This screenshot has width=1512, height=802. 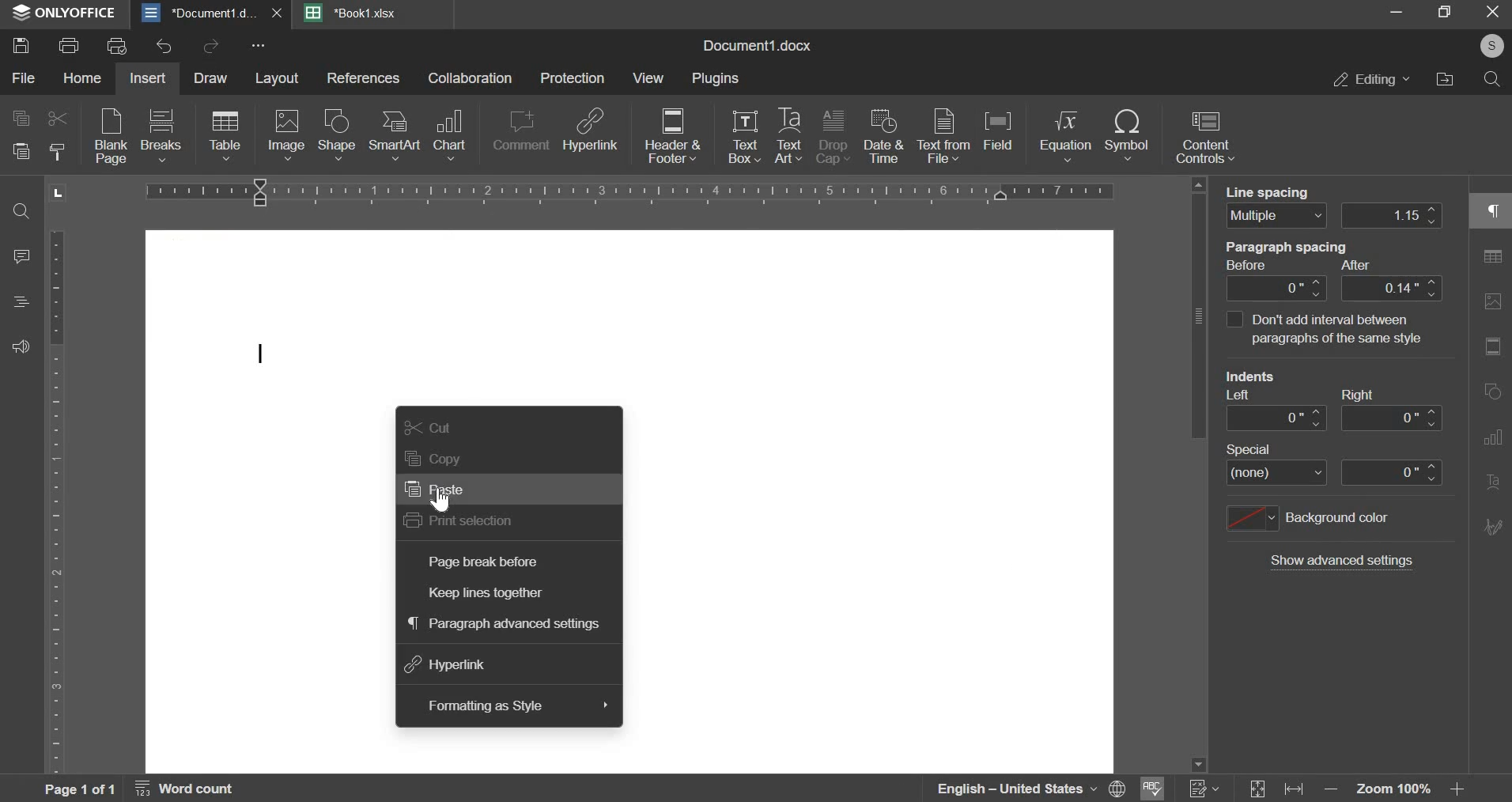 What do you see at coordinates (66, 14) in the screenshot?
I see `ONLYOFFICE` at bounding box center [66, 14].